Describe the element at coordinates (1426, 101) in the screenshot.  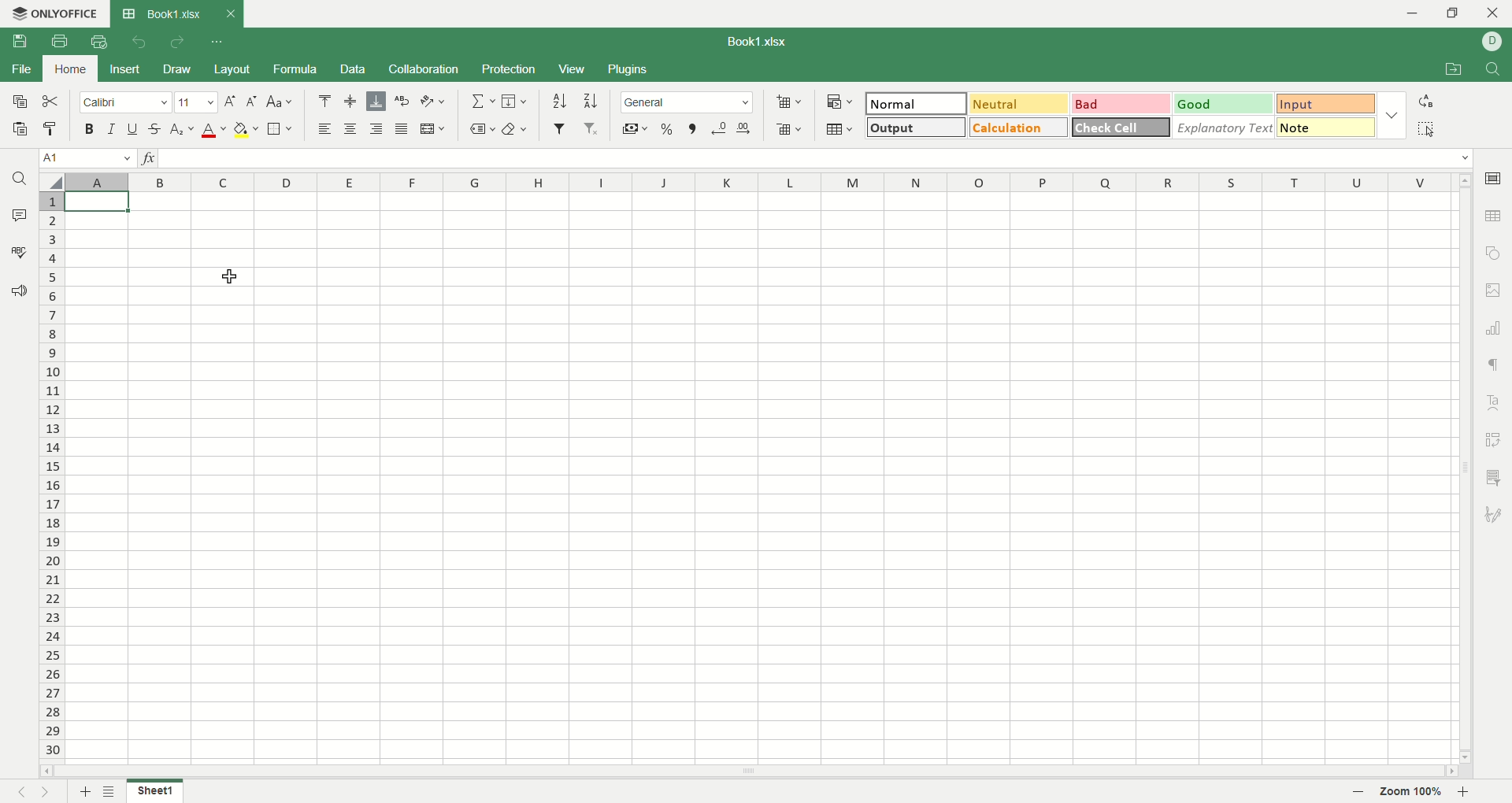
I see `replace` at that location.